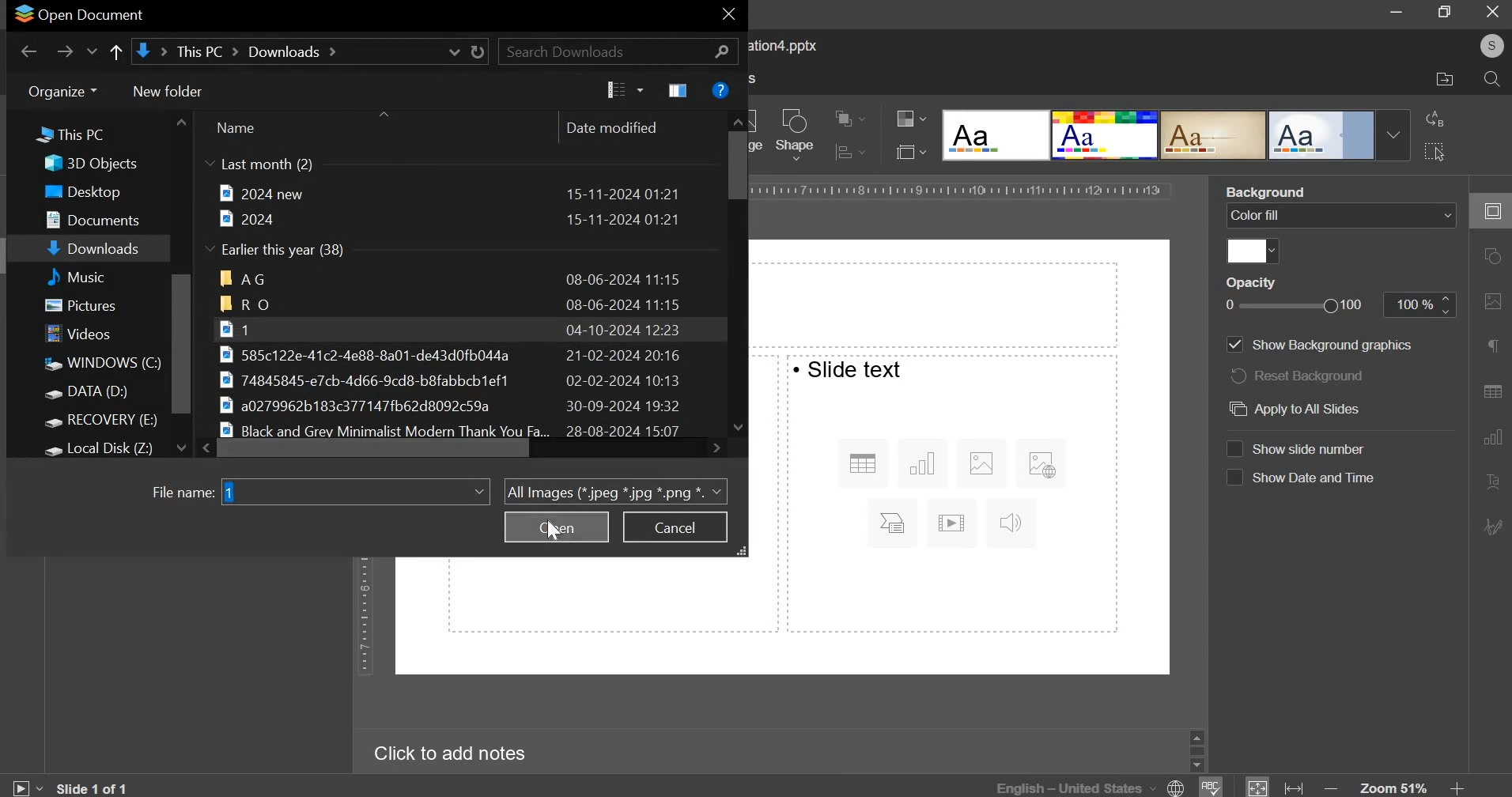 Image resolution: width=1512 pixels, height=797 pixels. What do you see at coordinates (625, 90) in the screenshot?
I see `sort` at bounding box center [625, 90].